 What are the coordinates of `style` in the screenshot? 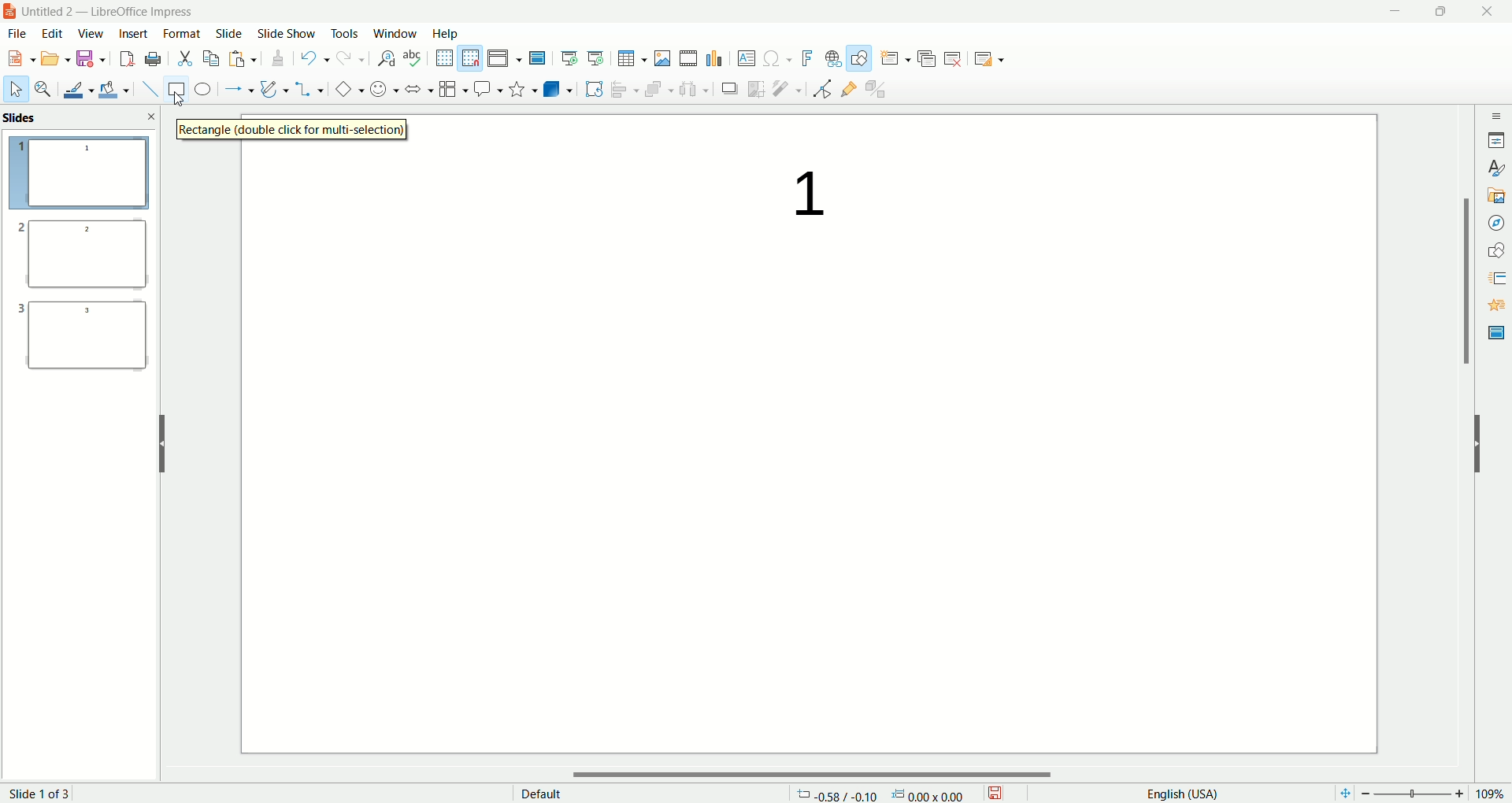 It's located at (1495, 168).